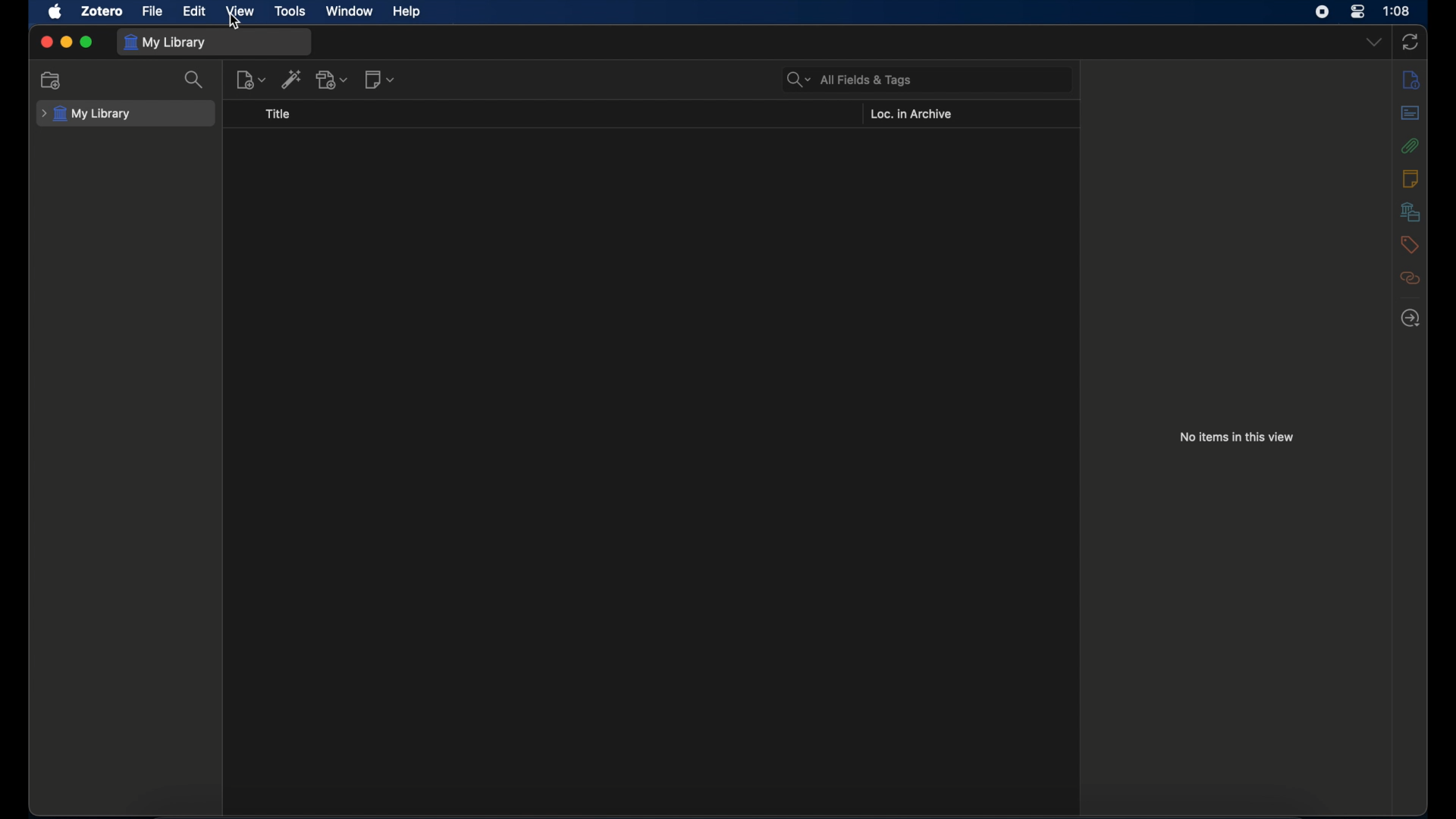 The image size is (1456, 819). What do you see at coordinates (849, 79) in the screenshot?
I see `search bar` at bounding box center [849, 79].